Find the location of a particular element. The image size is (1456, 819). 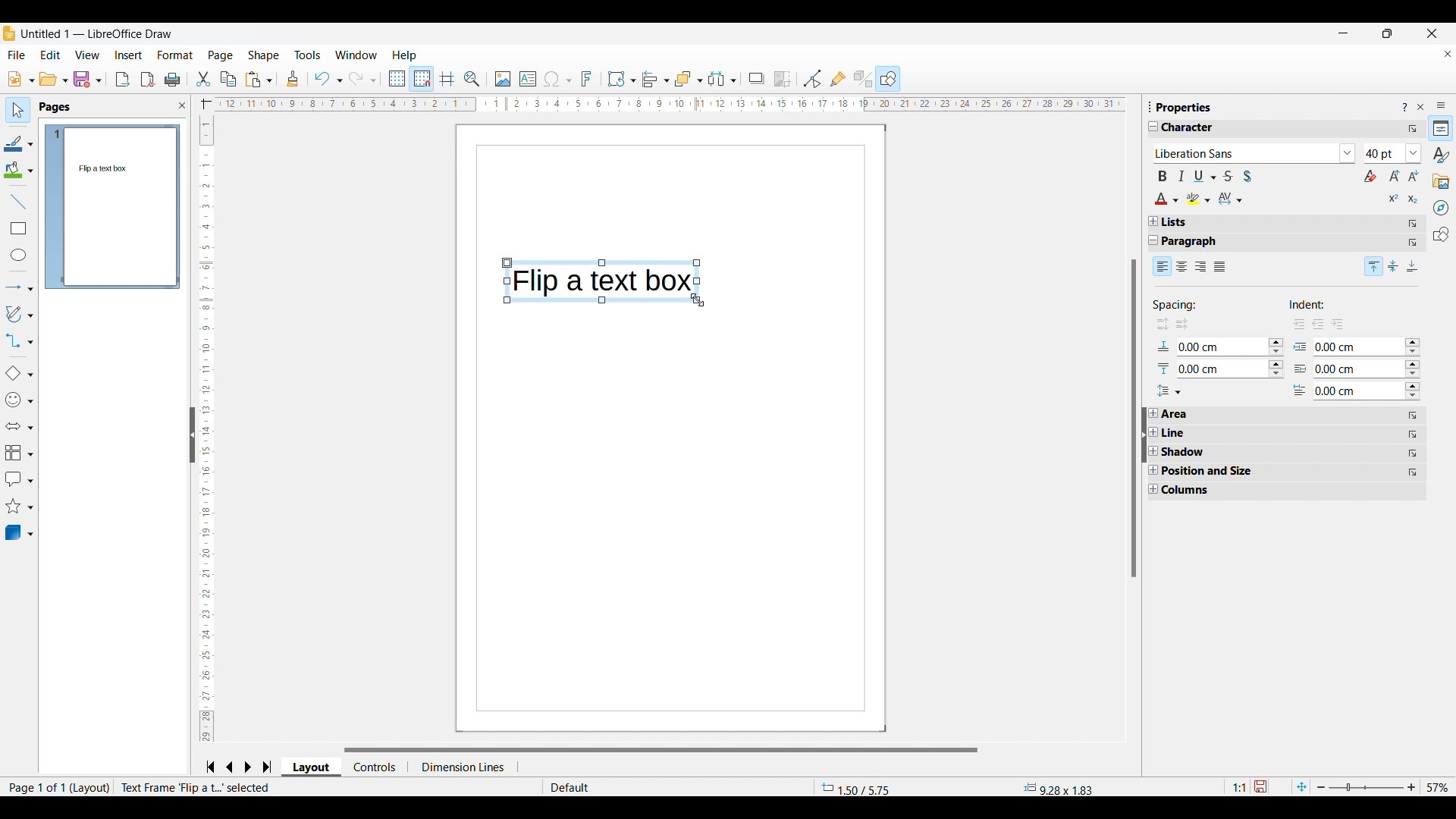

Top alignment is located at coordinates (1374, 266).